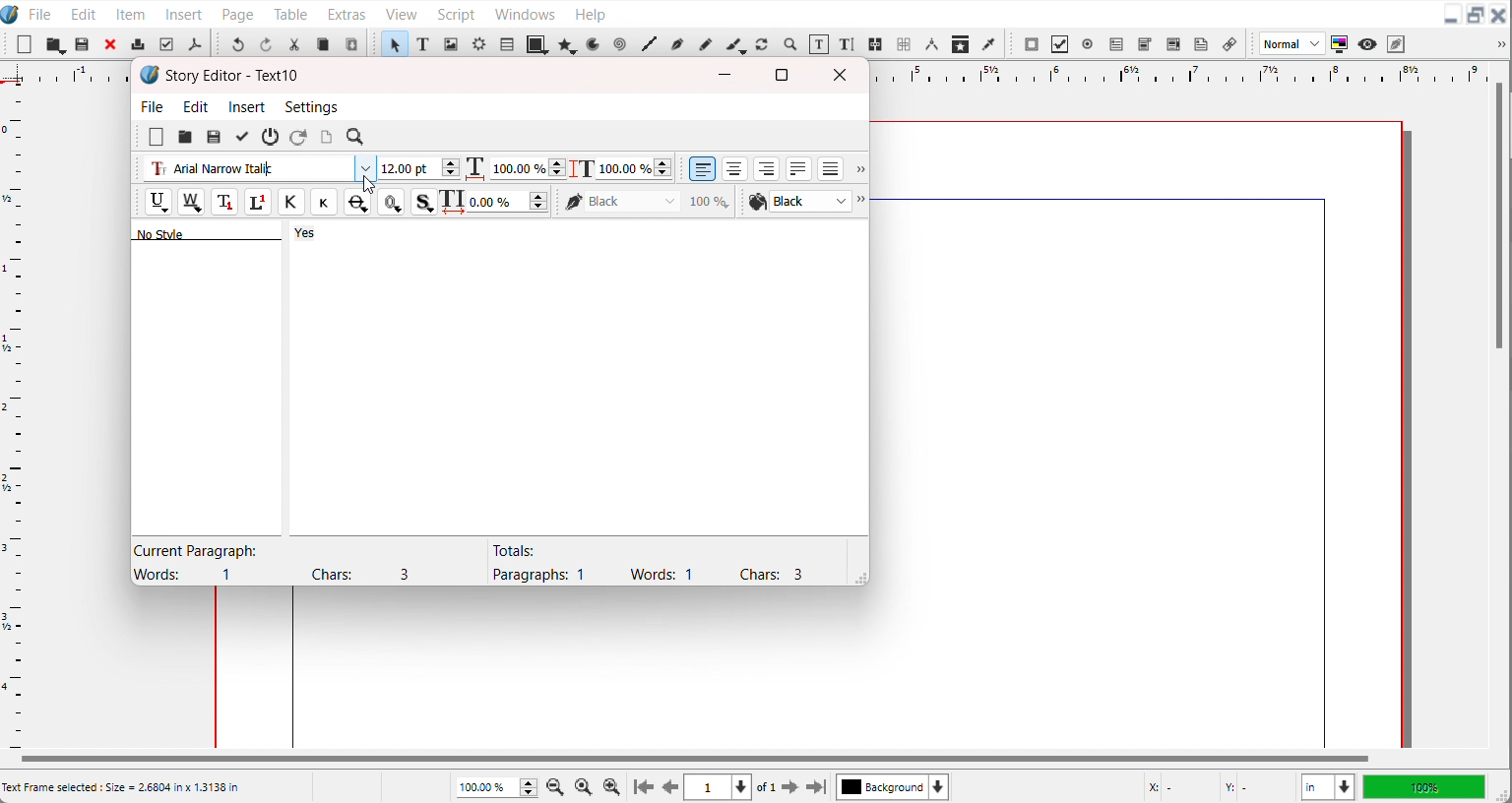  Describe the element at coordinates (241, 137) in the screenshot. I see `Update` at that location.